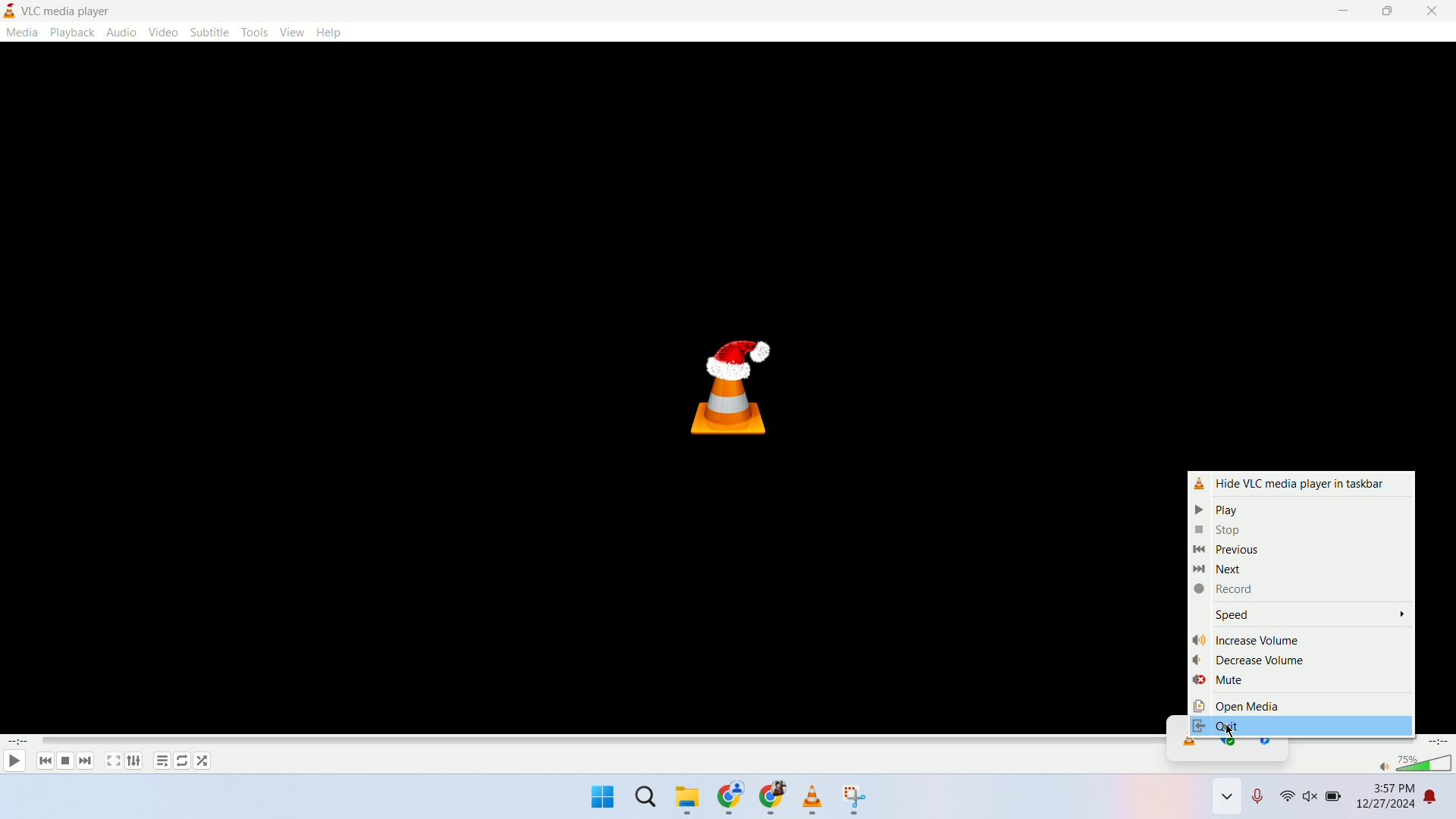 The width and height of the screenshot is (1456, 819). Describe the element at coordinates (1335, 802) in the screenshot. I see `battery` at that location.